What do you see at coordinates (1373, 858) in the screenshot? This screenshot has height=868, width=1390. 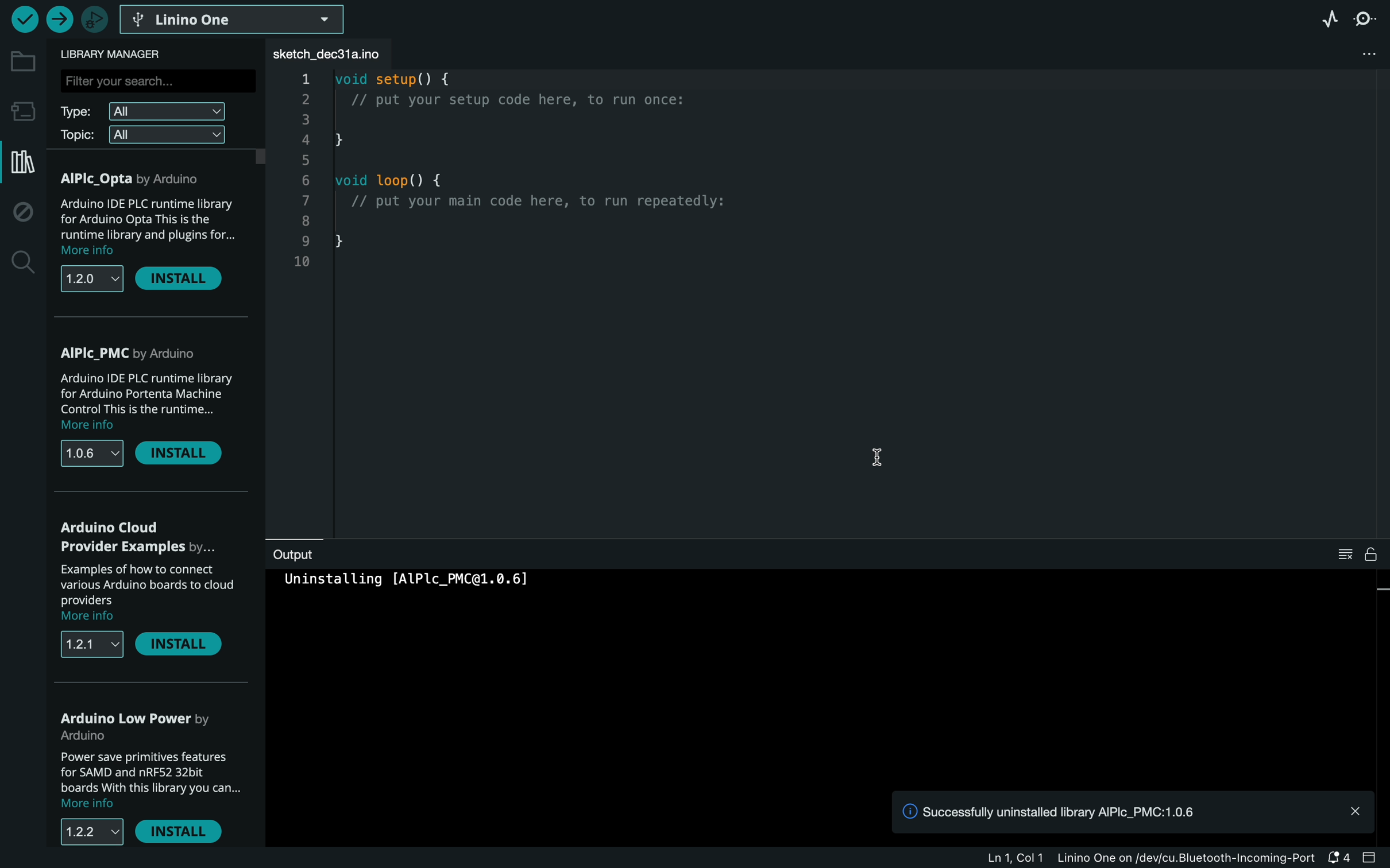 I see `close bar` at bounding box center [1373, 858].